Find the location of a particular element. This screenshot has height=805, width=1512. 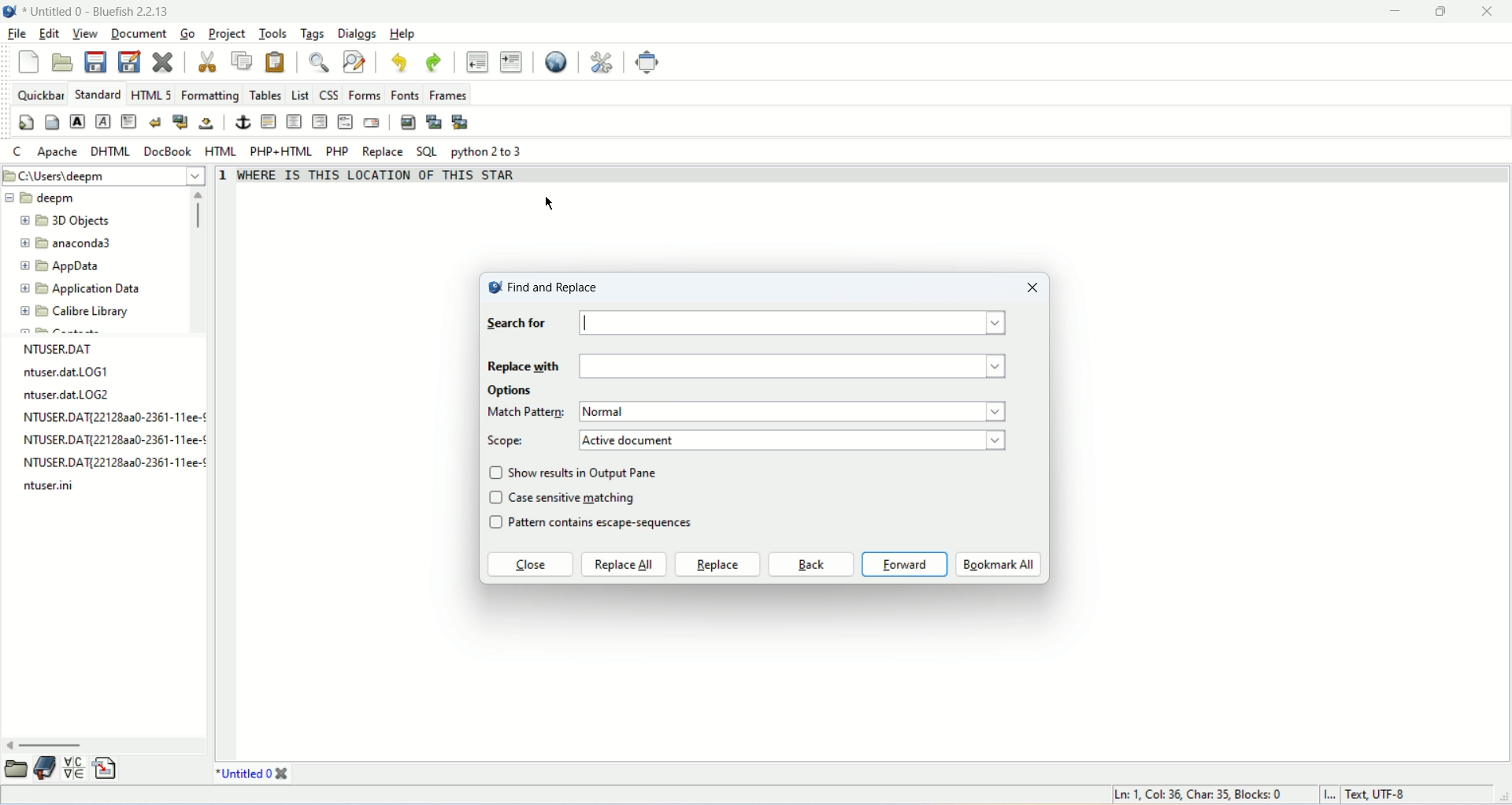

insert thumbnail is located at coordinates (435, 124).